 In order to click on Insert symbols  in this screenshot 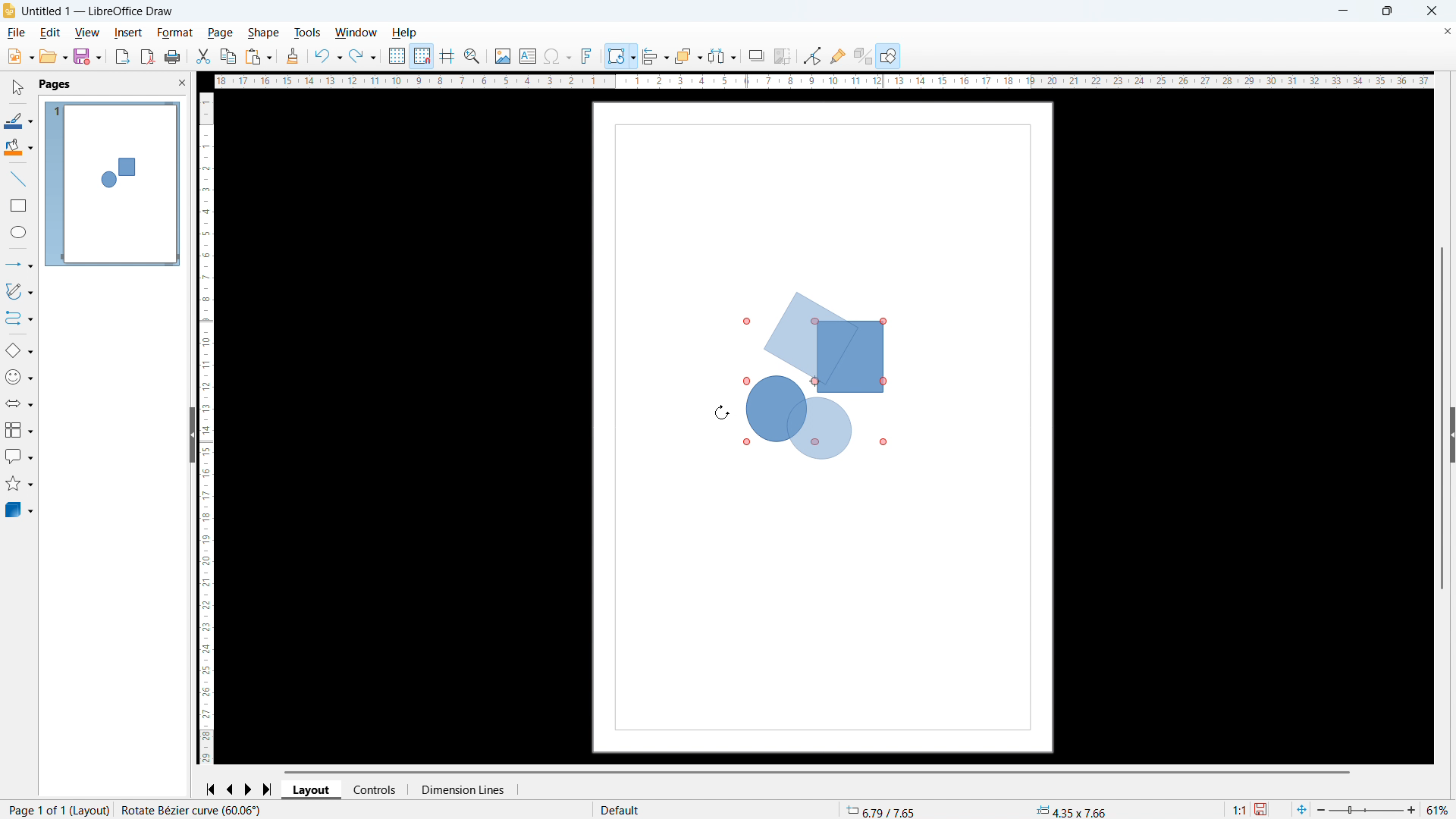, I will do `click(557, 56)`.